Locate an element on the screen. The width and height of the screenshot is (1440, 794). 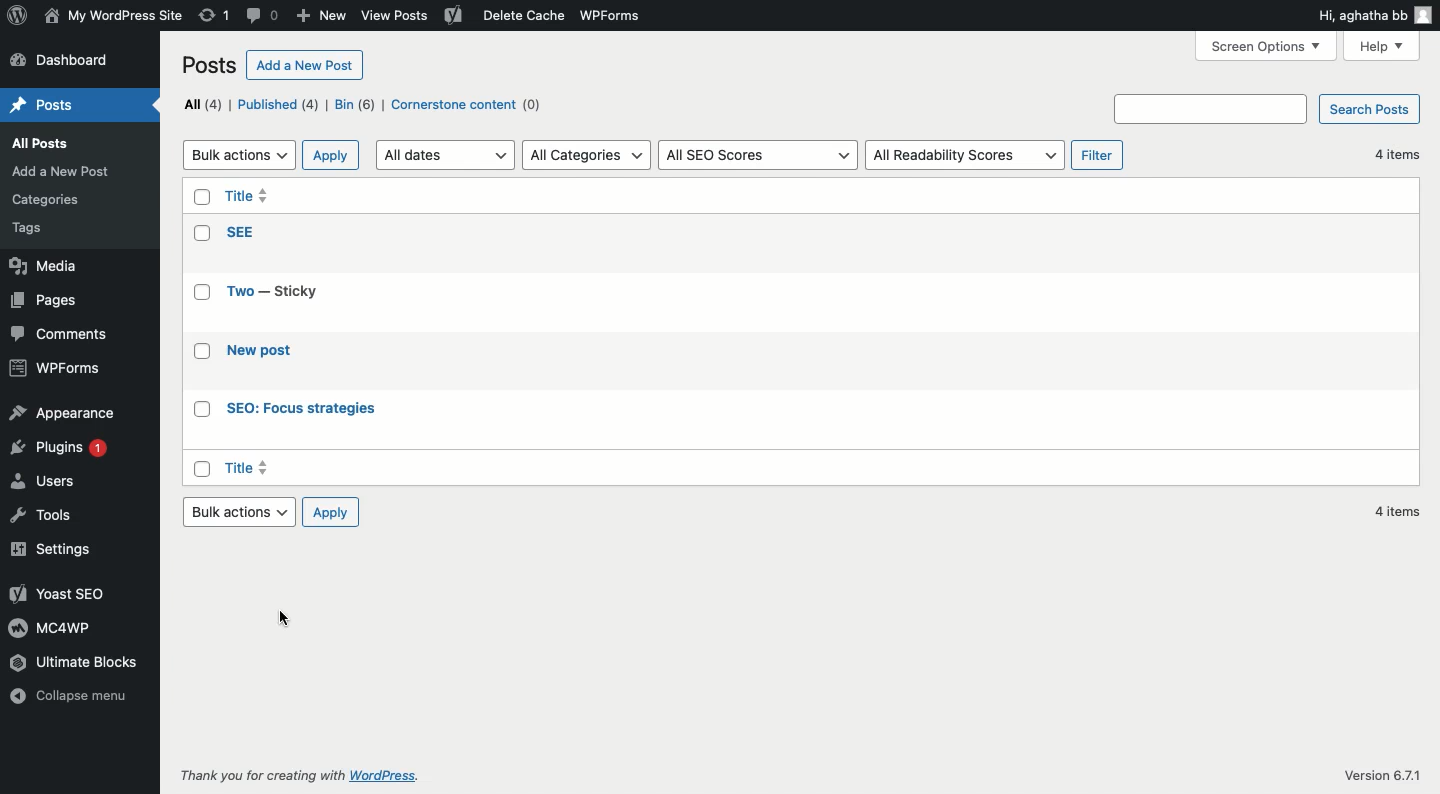
Name is located at coordinates (113, 14).